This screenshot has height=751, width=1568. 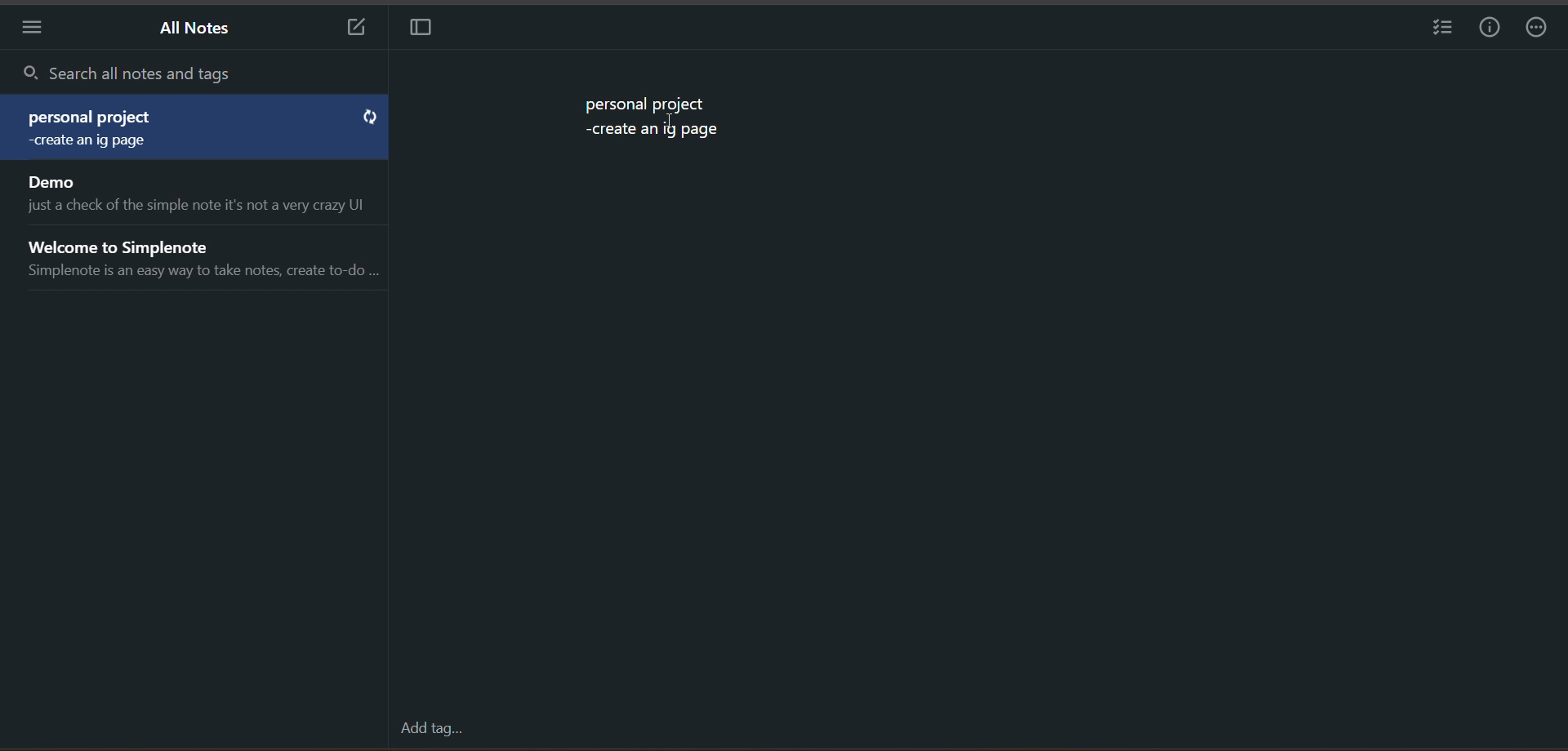 I want to click on all  notes, so click(x=196, y=231).